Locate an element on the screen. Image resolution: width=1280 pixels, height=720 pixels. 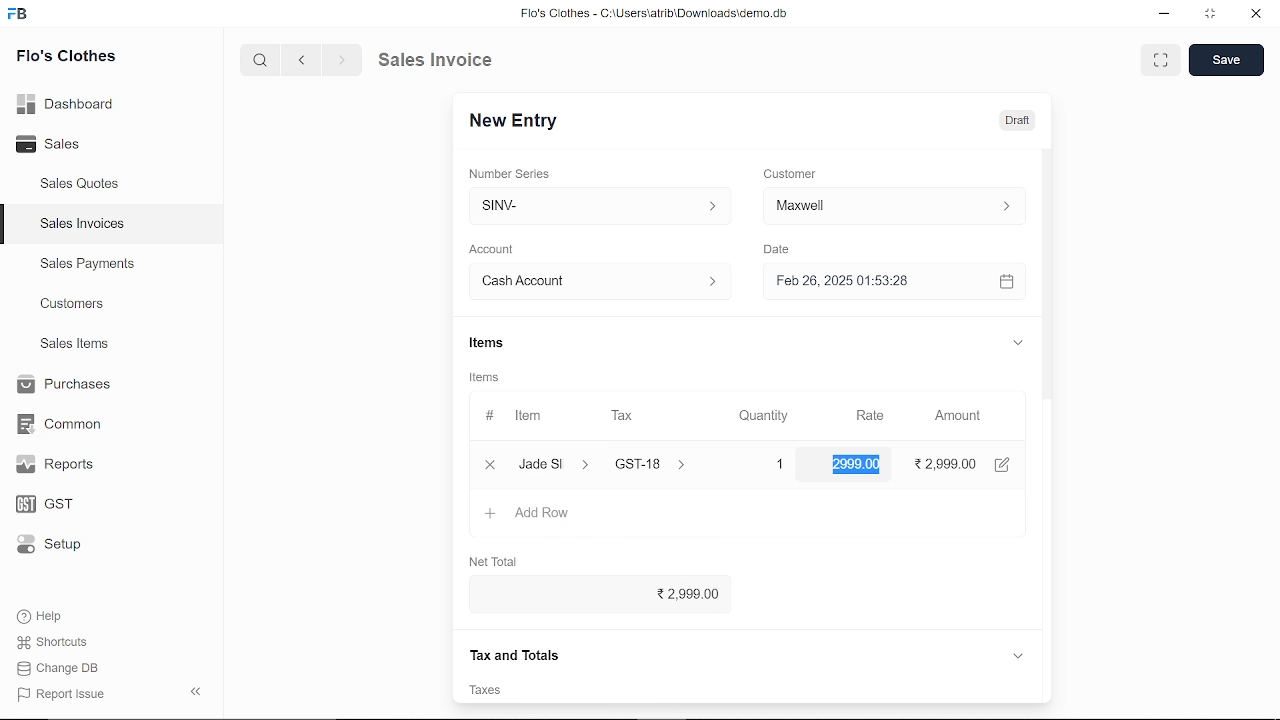
save is located at coordinates (1226, 60).